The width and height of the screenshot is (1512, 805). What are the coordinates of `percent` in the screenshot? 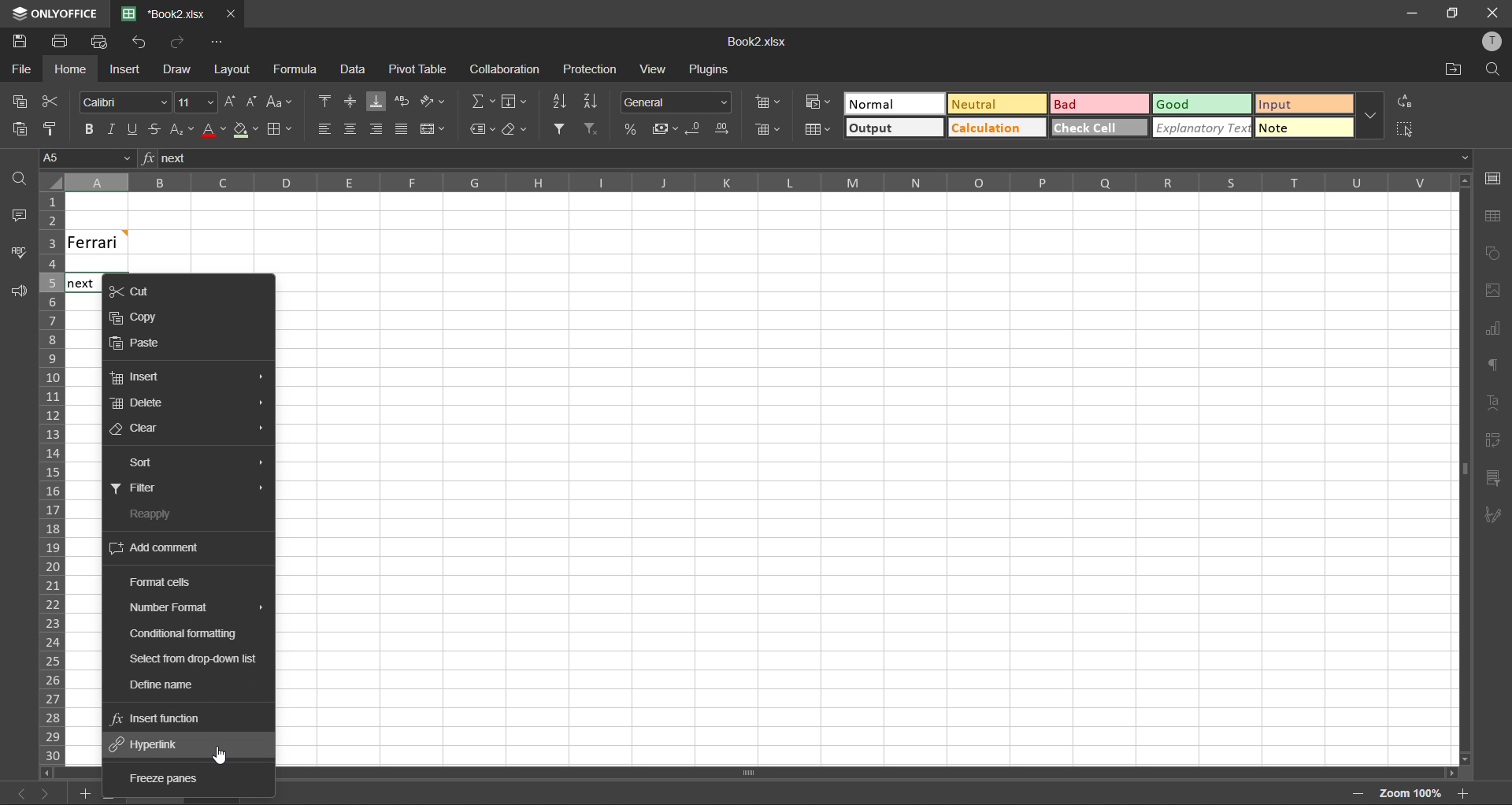 It's located at (630, 131).